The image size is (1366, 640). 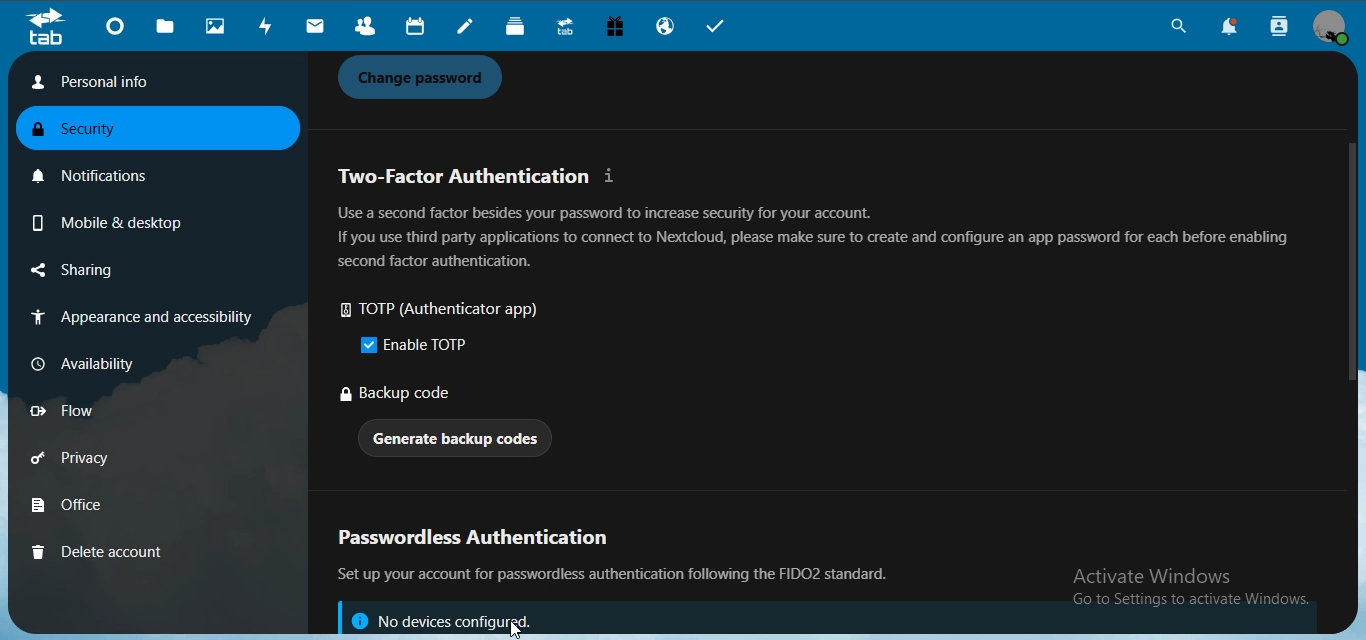 What do you see at coordinates (480, 176) in the screenshot?
I see `two-factor authentication` at bounding box center [480, 176].